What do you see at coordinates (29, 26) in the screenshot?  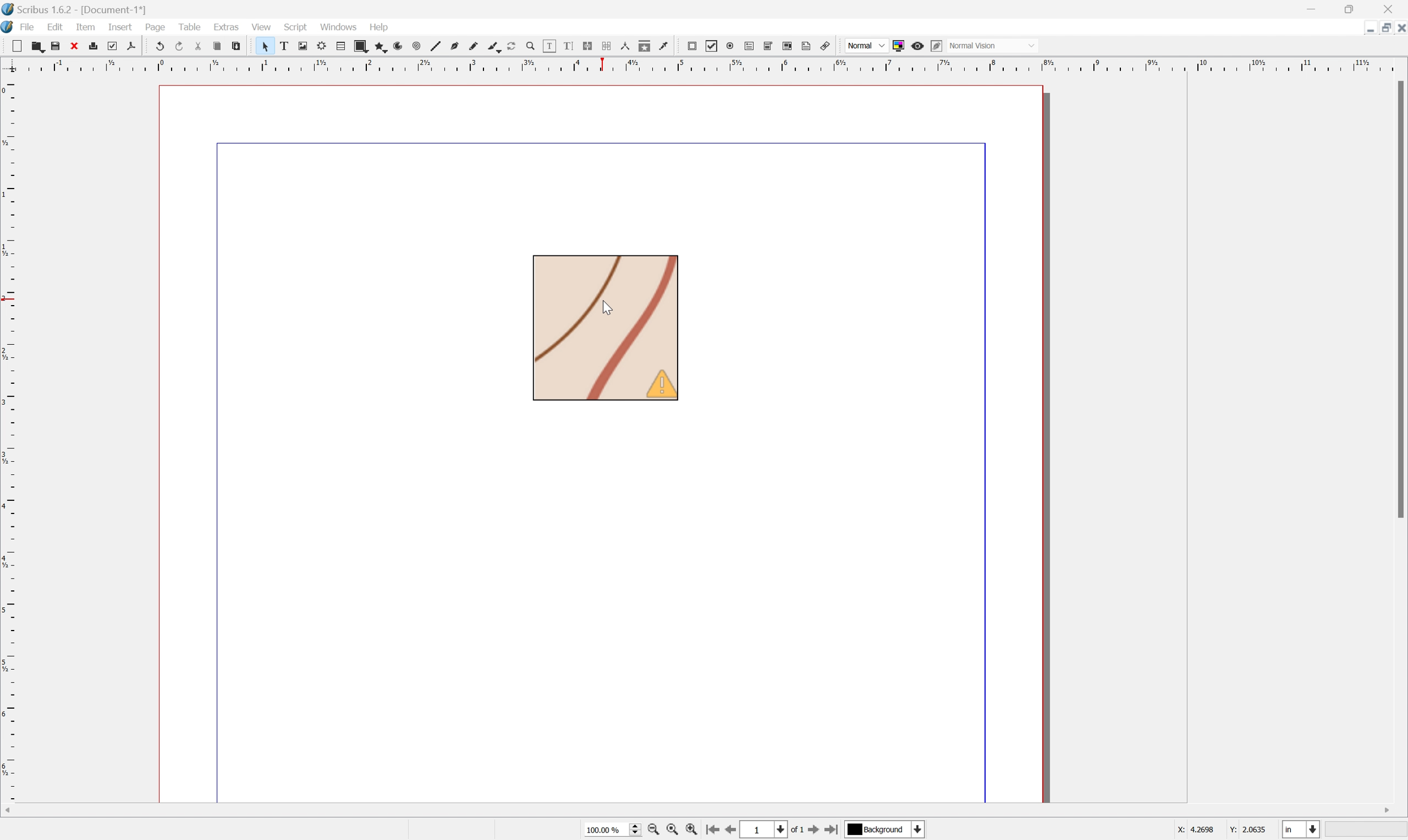 I see `File` at bounding box center [29, 26].